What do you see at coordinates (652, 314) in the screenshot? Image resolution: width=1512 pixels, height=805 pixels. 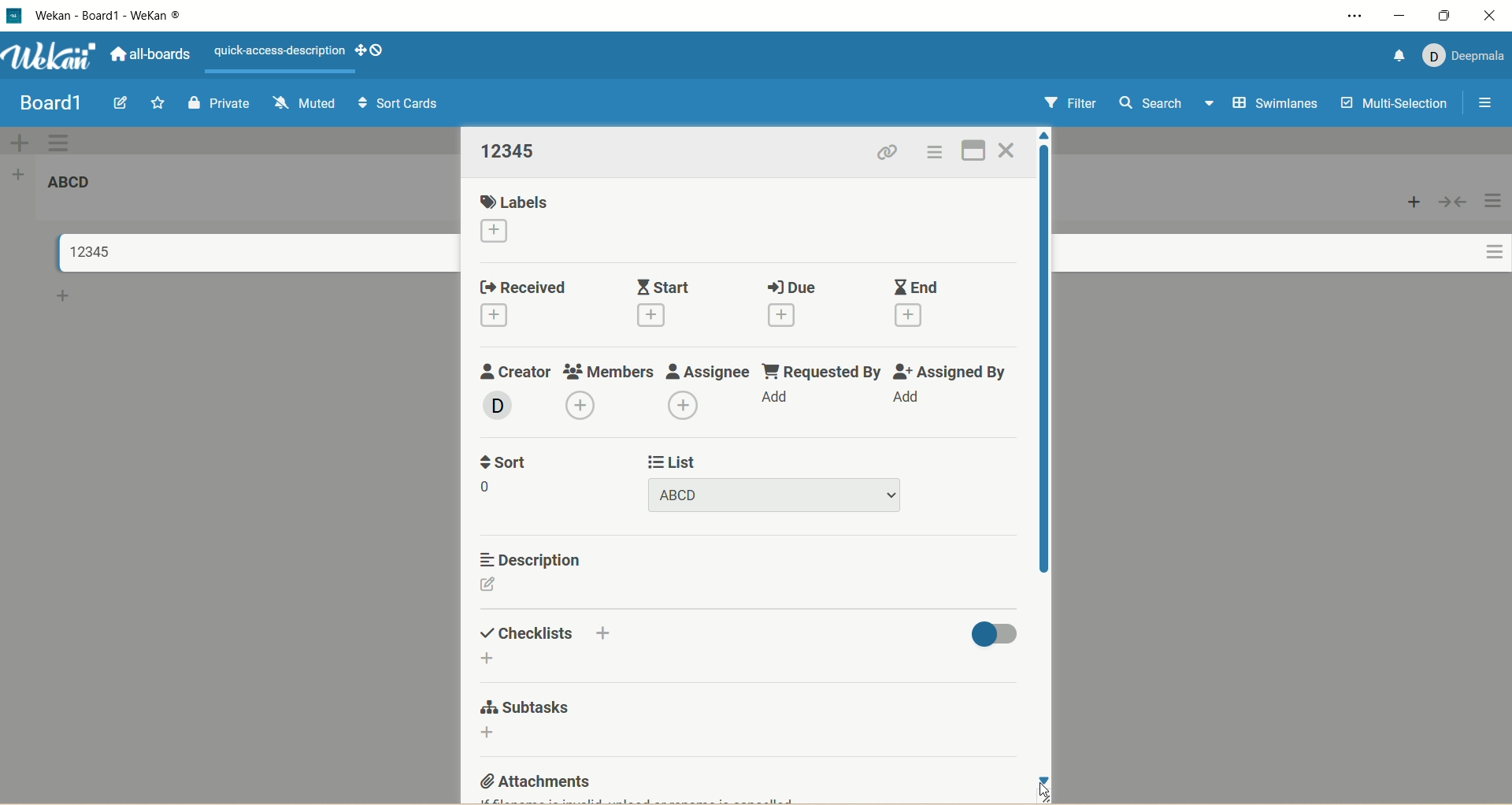 I see `add` at bounding box center [652, 314].